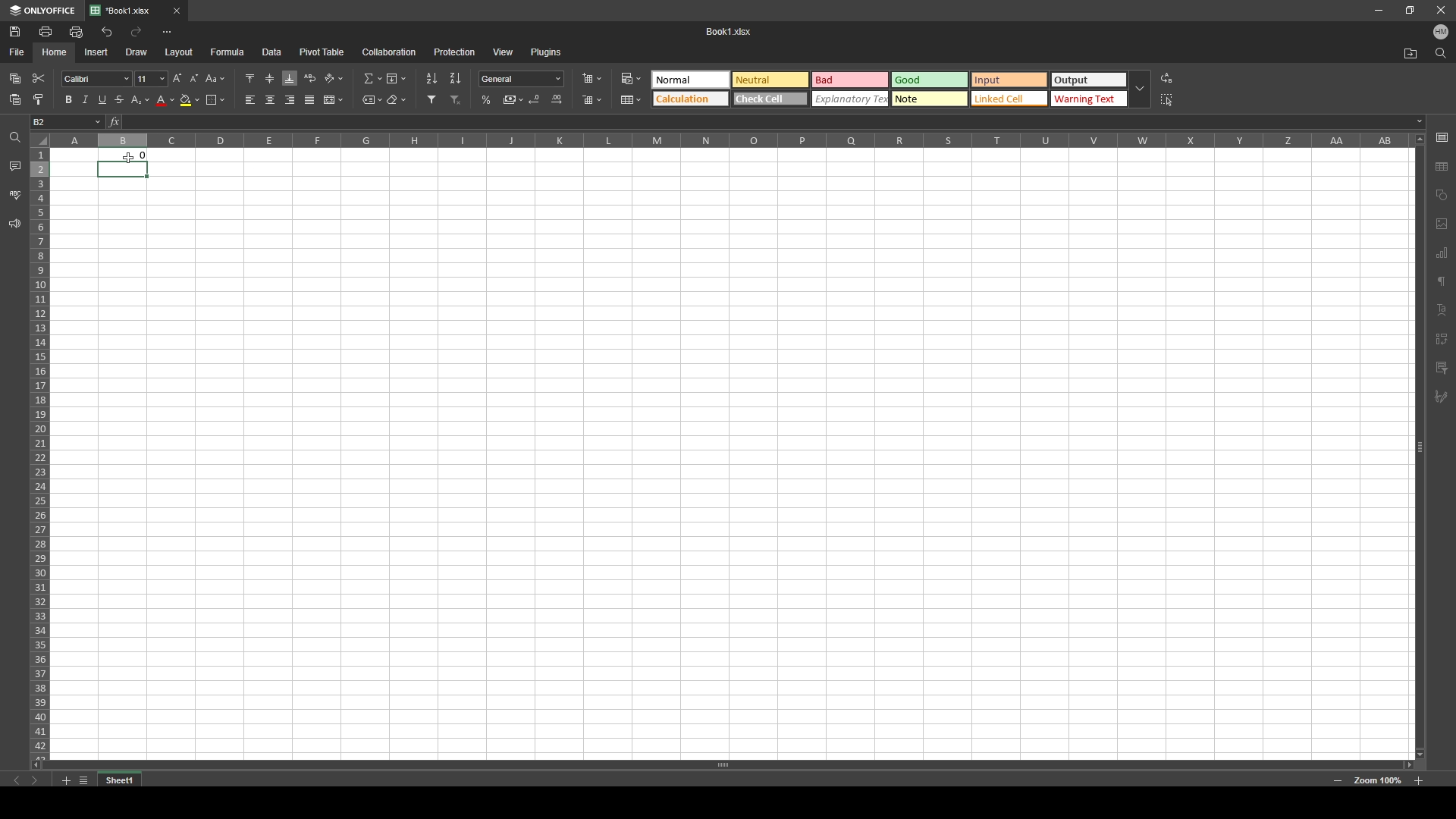 The height and width of the screenshot is (819, 1456). What do you see at coordinates (390, 52) in the screenshot?
I see `collaboration` at bounding box center [390, 52].